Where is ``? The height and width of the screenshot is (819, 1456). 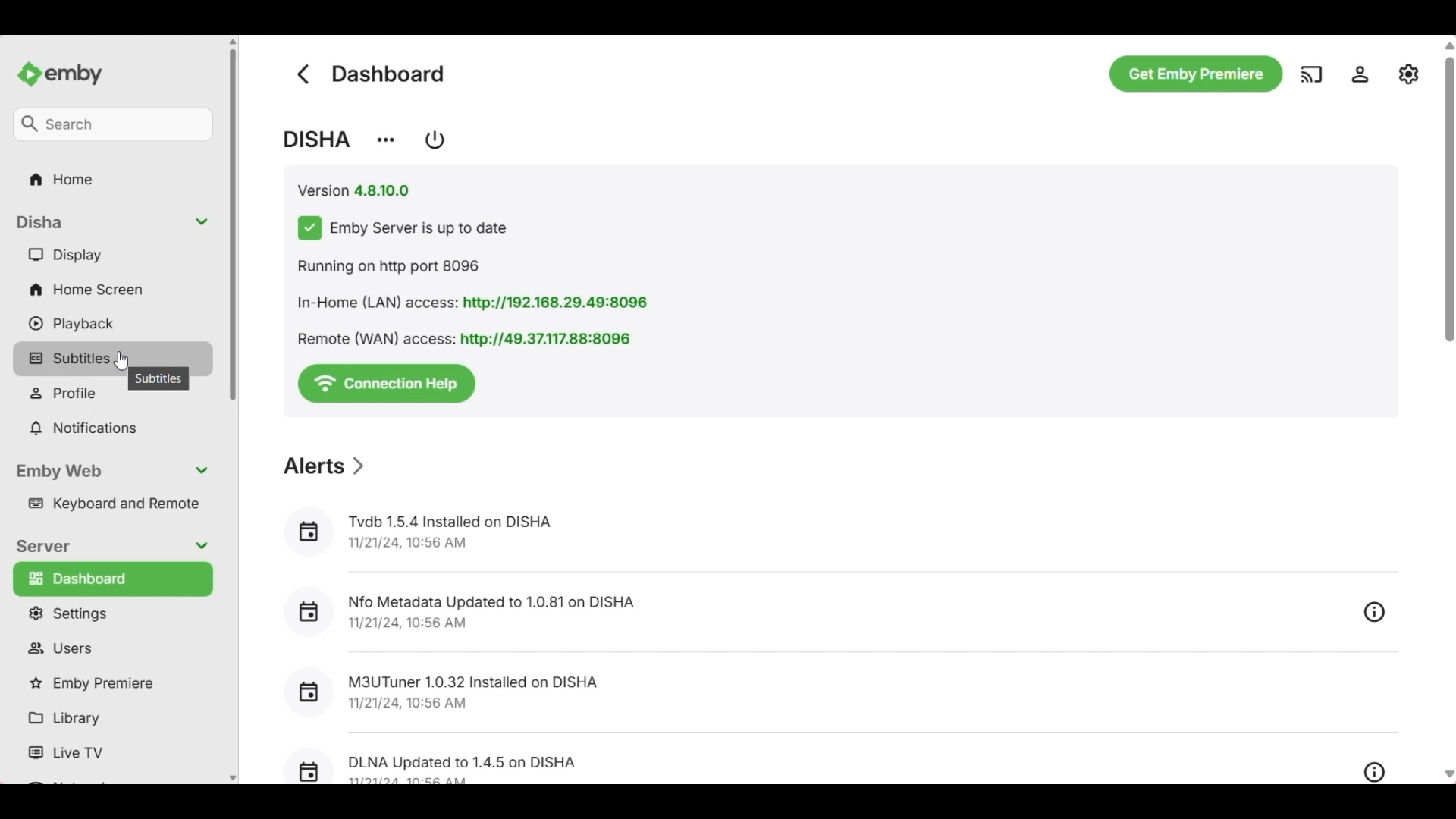
 is located at coordinates (1376, 773).